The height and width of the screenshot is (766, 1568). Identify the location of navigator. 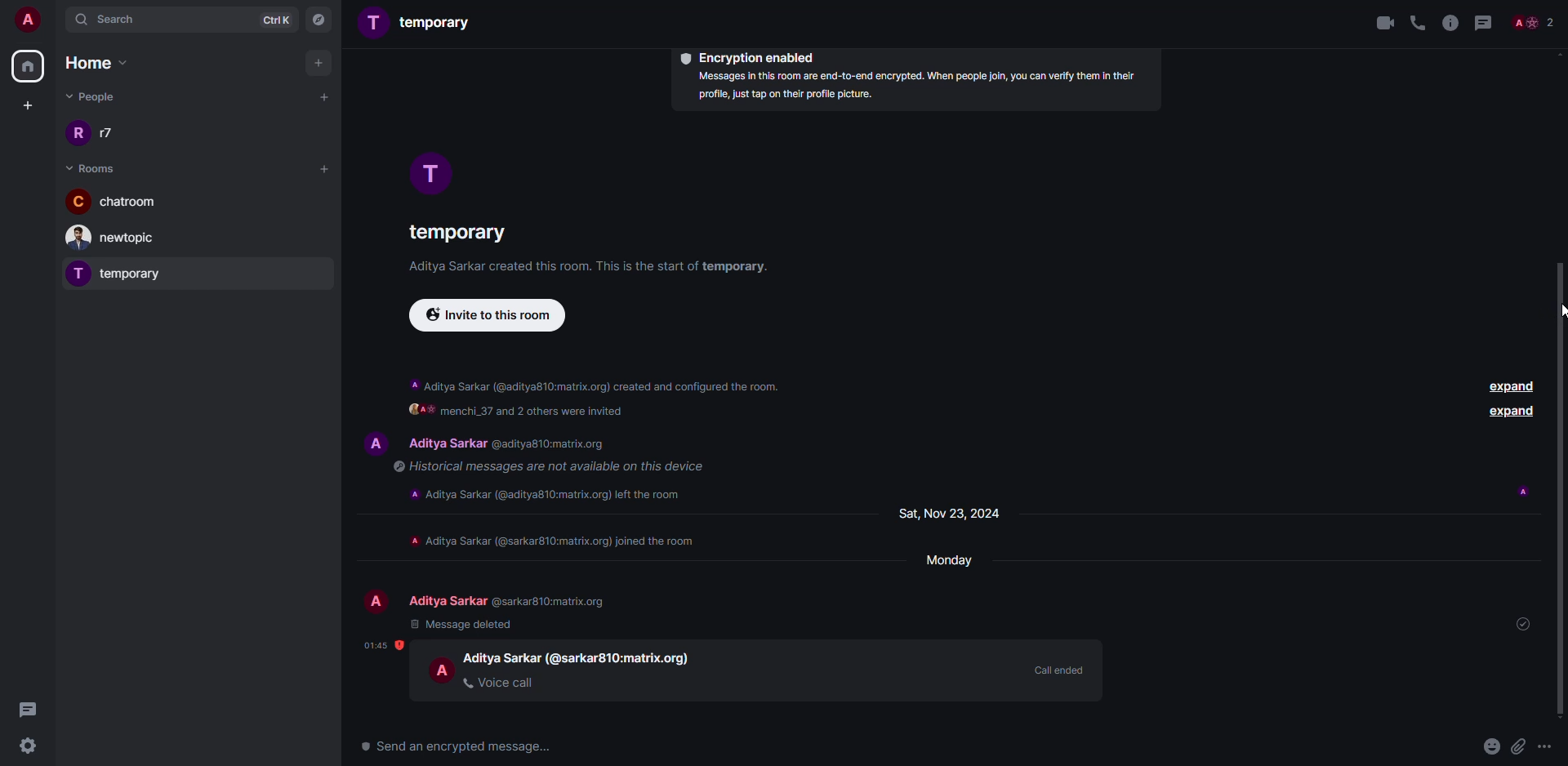
(320, 19).